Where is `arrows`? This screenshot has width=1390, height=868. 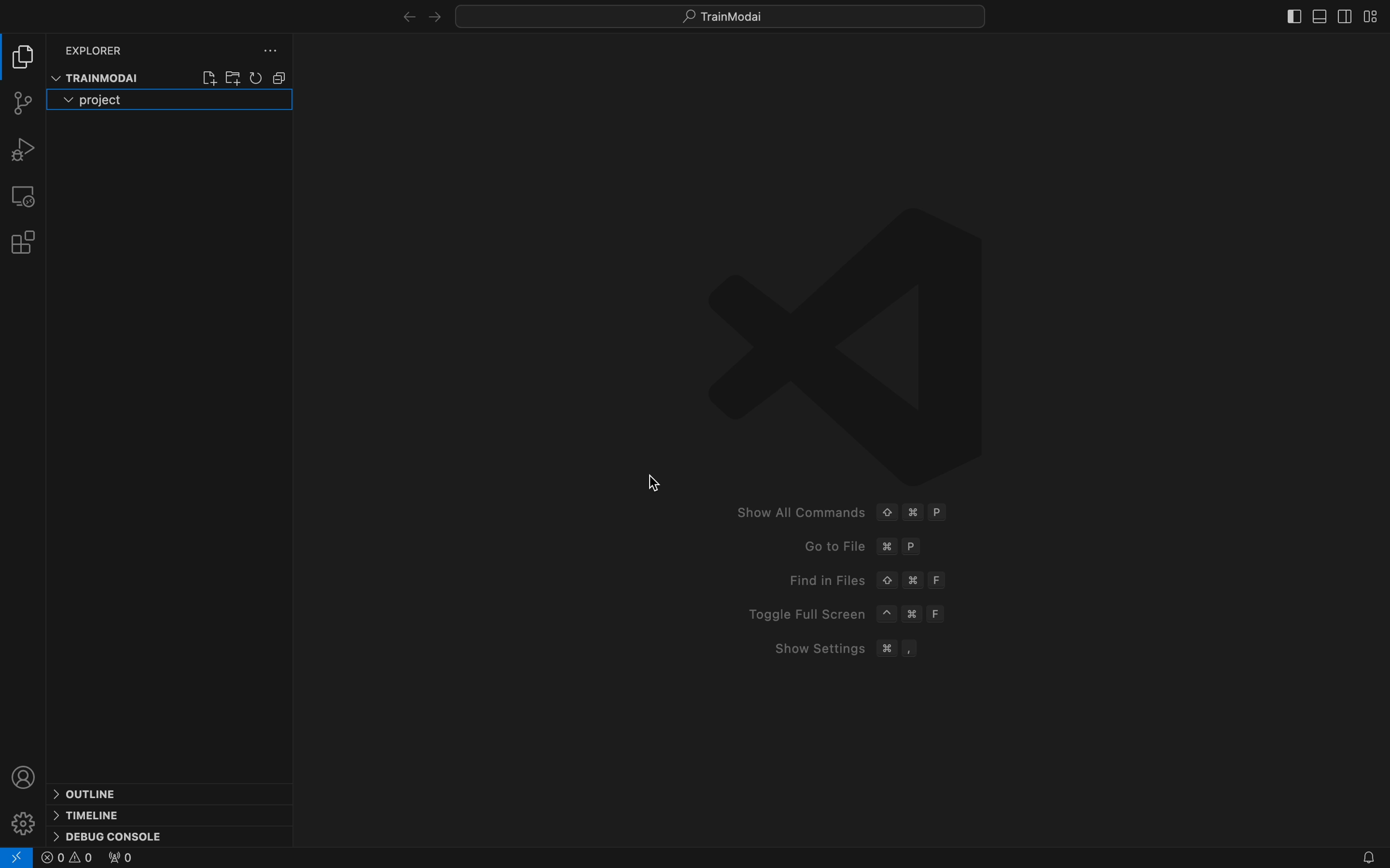
arrows is located at coordinates (404, 18).